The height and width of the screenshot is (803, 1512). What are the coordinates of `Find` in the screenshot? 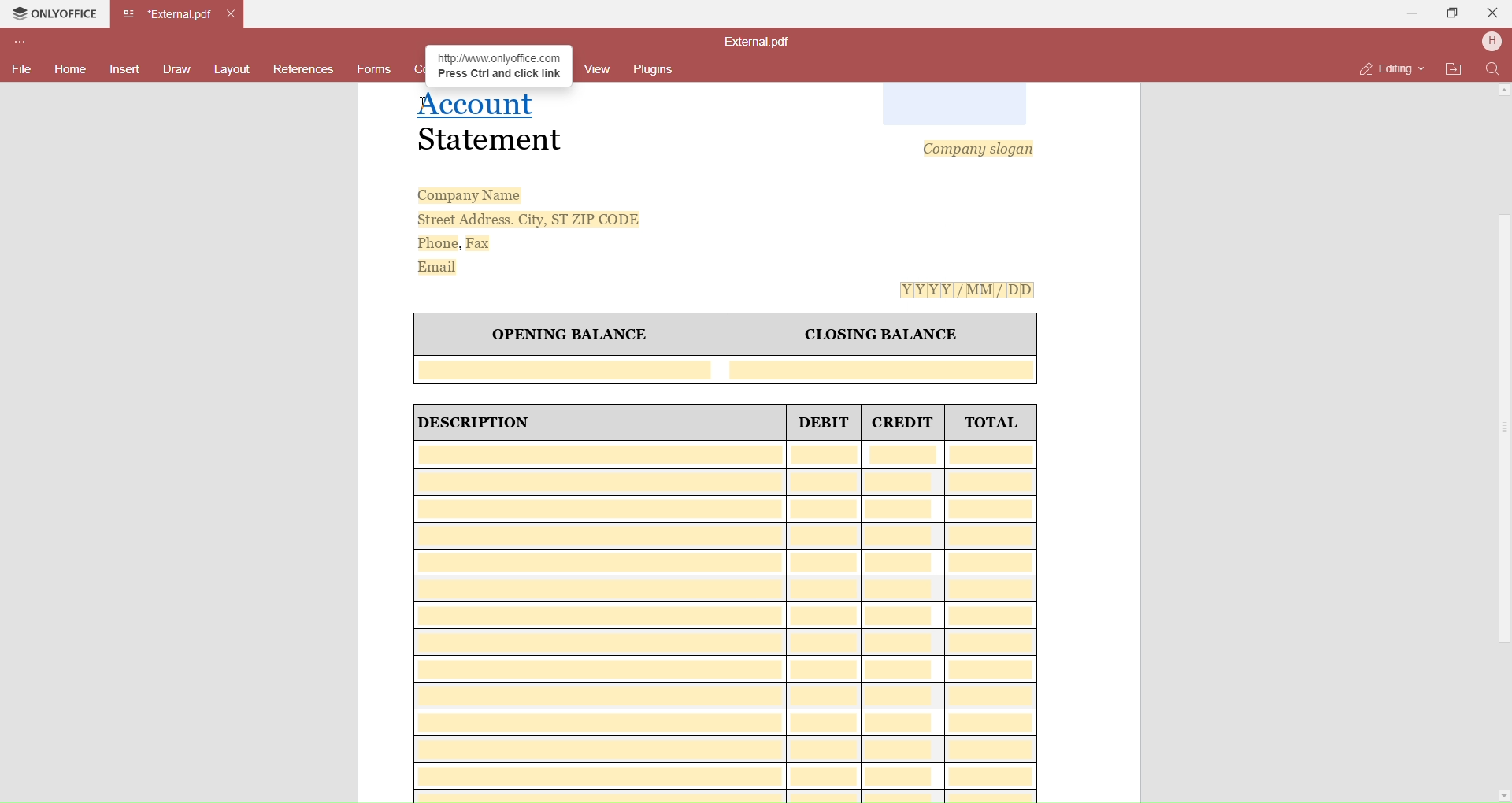 It's located at (1492, 69).